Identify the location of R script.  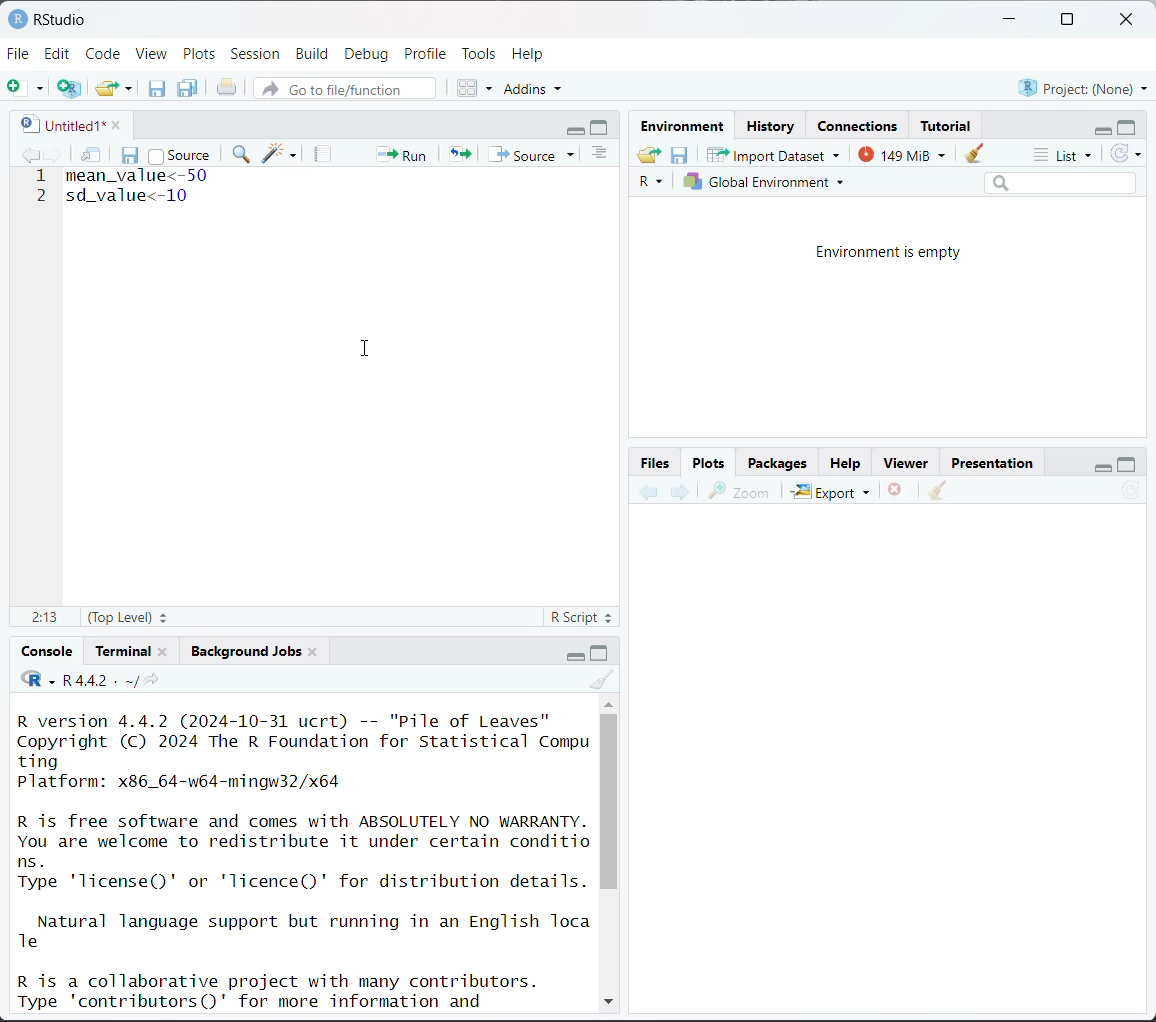
(582, 620).